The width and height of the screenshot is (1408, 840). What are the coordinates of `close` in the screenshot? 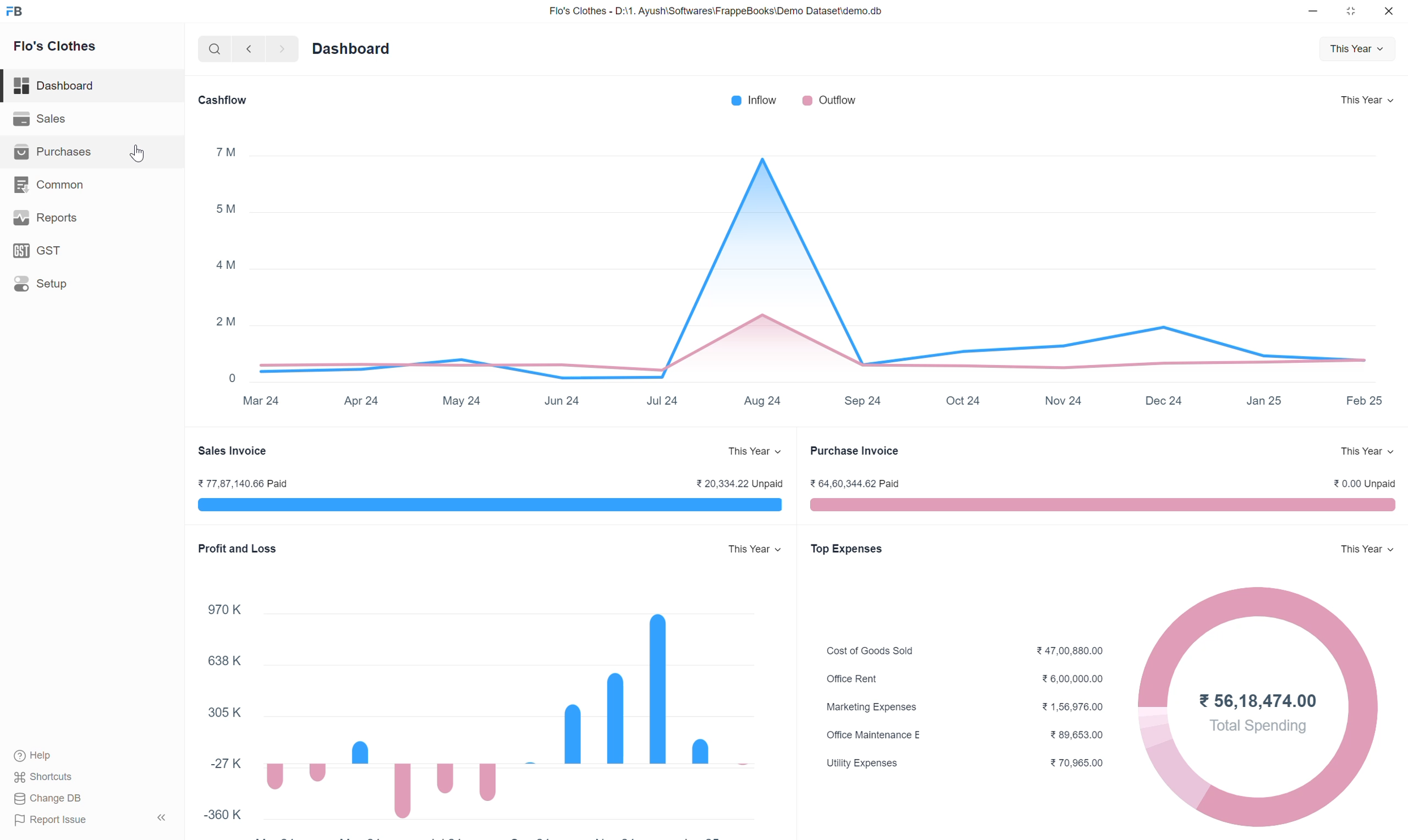 It's located at (1389, 11).